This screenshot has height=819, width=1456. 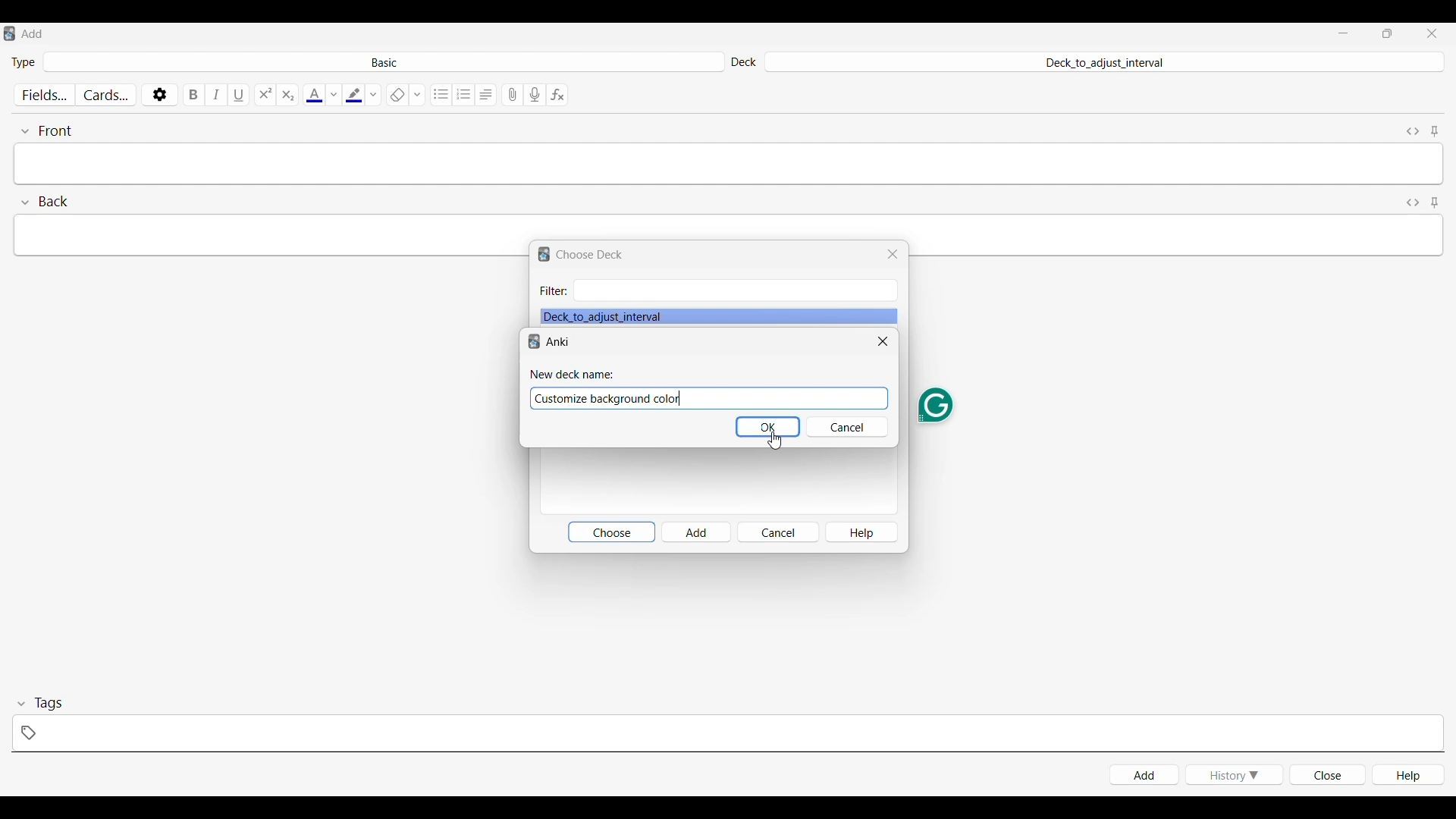 I want to click on Indicates input for new deck name, so click(x=573, y=375).